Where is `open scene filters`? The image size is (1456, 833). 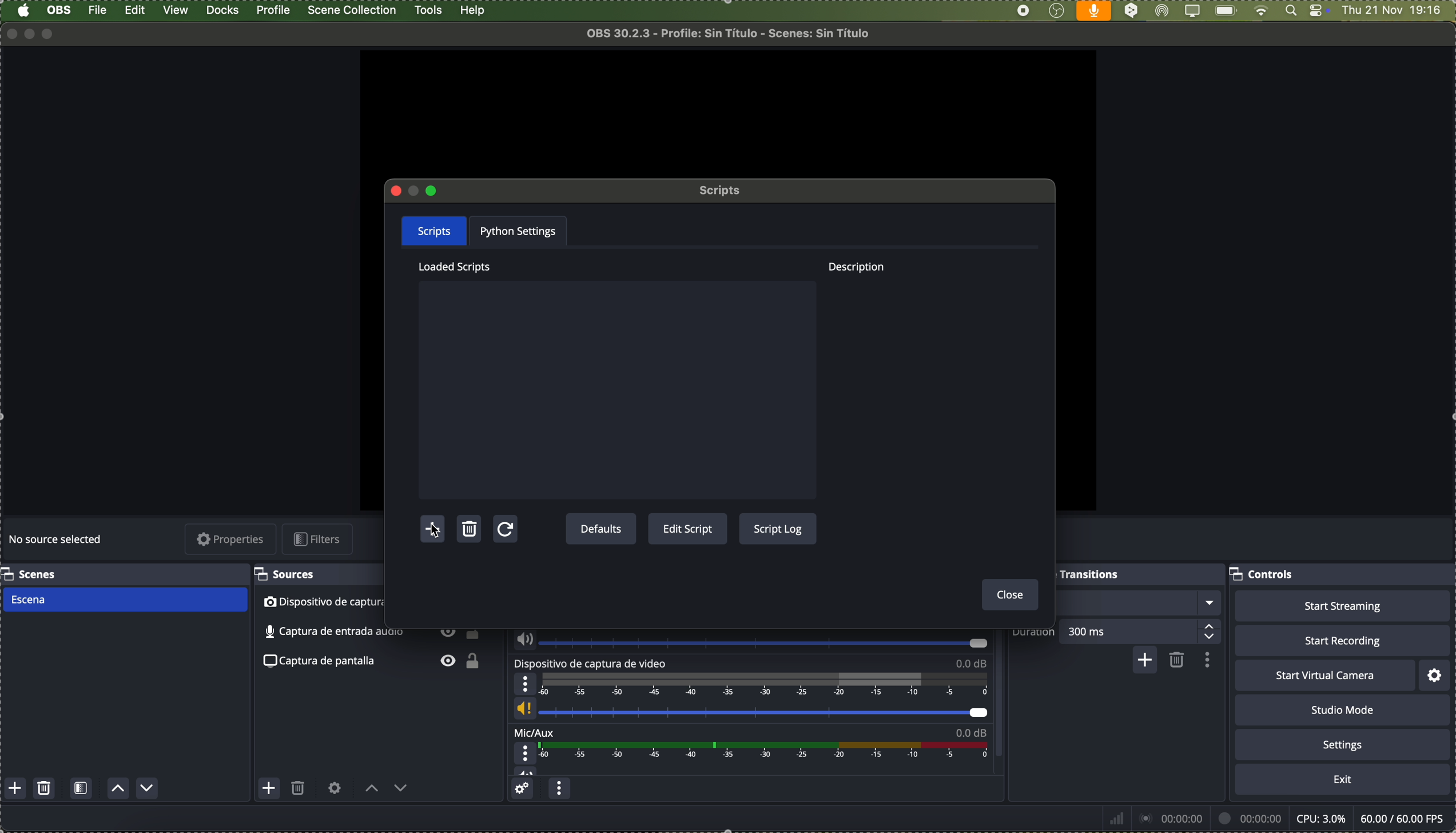 open scene filters is located at coordinates (81, 790).